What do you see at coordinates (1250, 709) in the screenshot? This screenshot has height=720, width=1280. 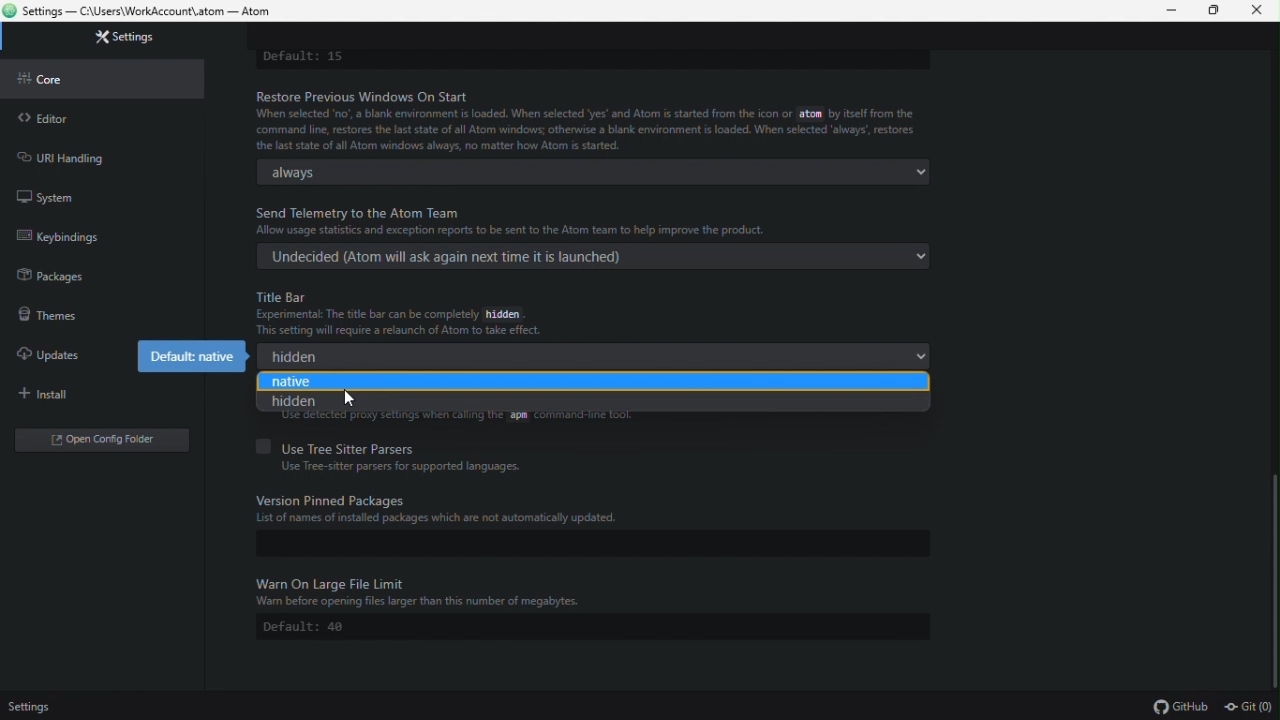 I see `git` at bounding box center [1250, 709].